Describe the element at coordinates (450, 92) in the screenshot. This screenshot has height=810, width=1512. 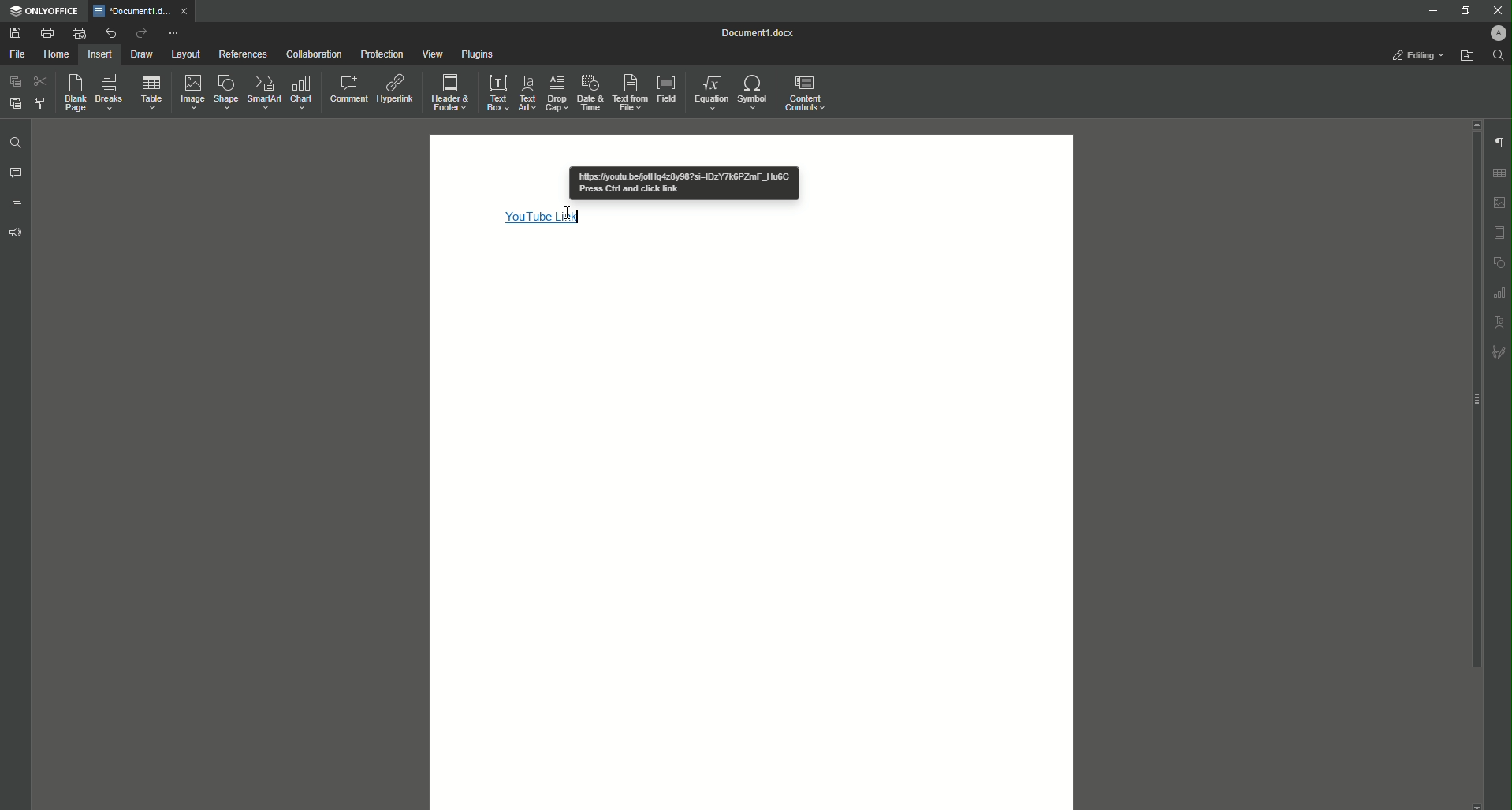
I see `Header and Footer` at that location.